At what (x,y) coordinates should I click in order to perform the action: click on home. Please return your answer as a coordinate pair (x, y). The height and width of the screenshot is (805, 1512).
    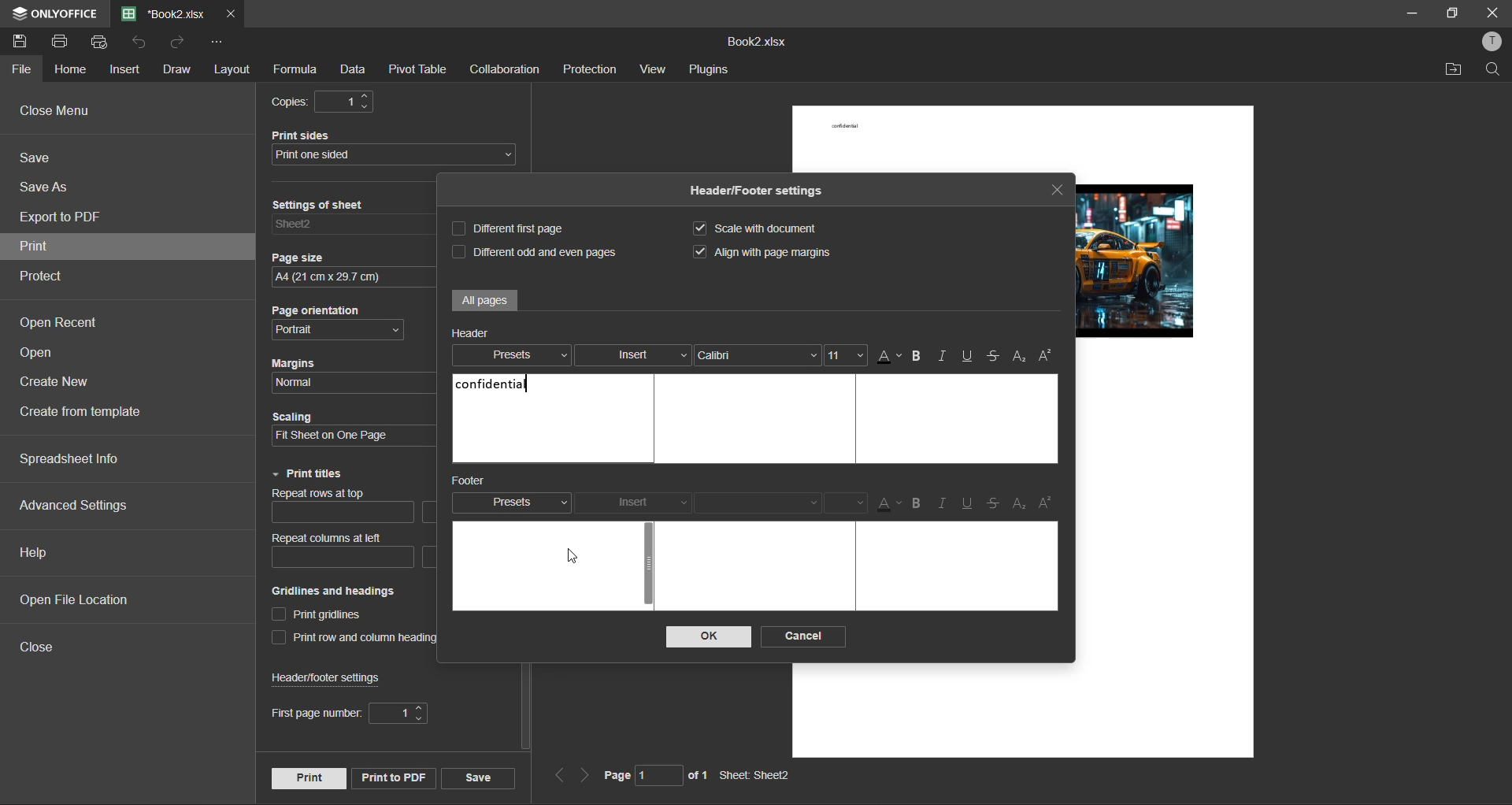
    Looking at the image, I should click on (69, 69).